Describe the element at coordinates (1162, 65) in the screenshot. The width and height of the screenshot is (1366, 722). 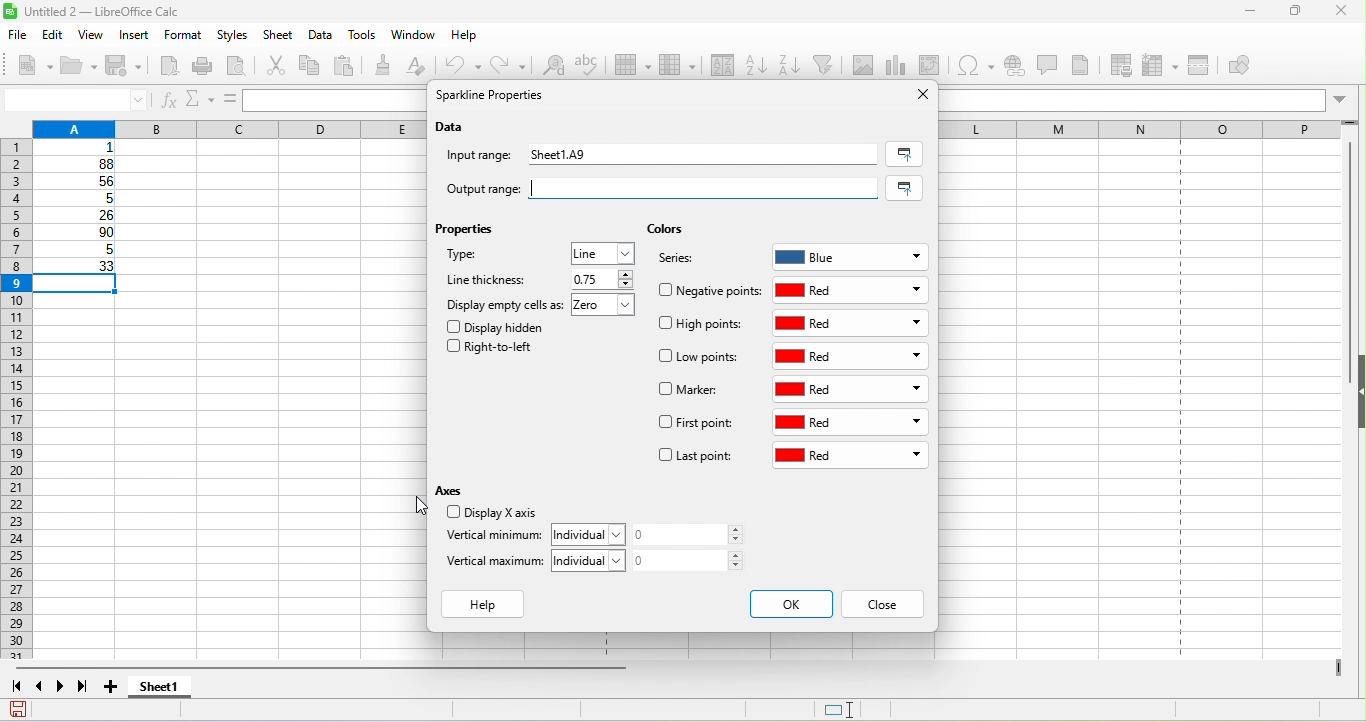
I see `freeze rows and column` at that location.